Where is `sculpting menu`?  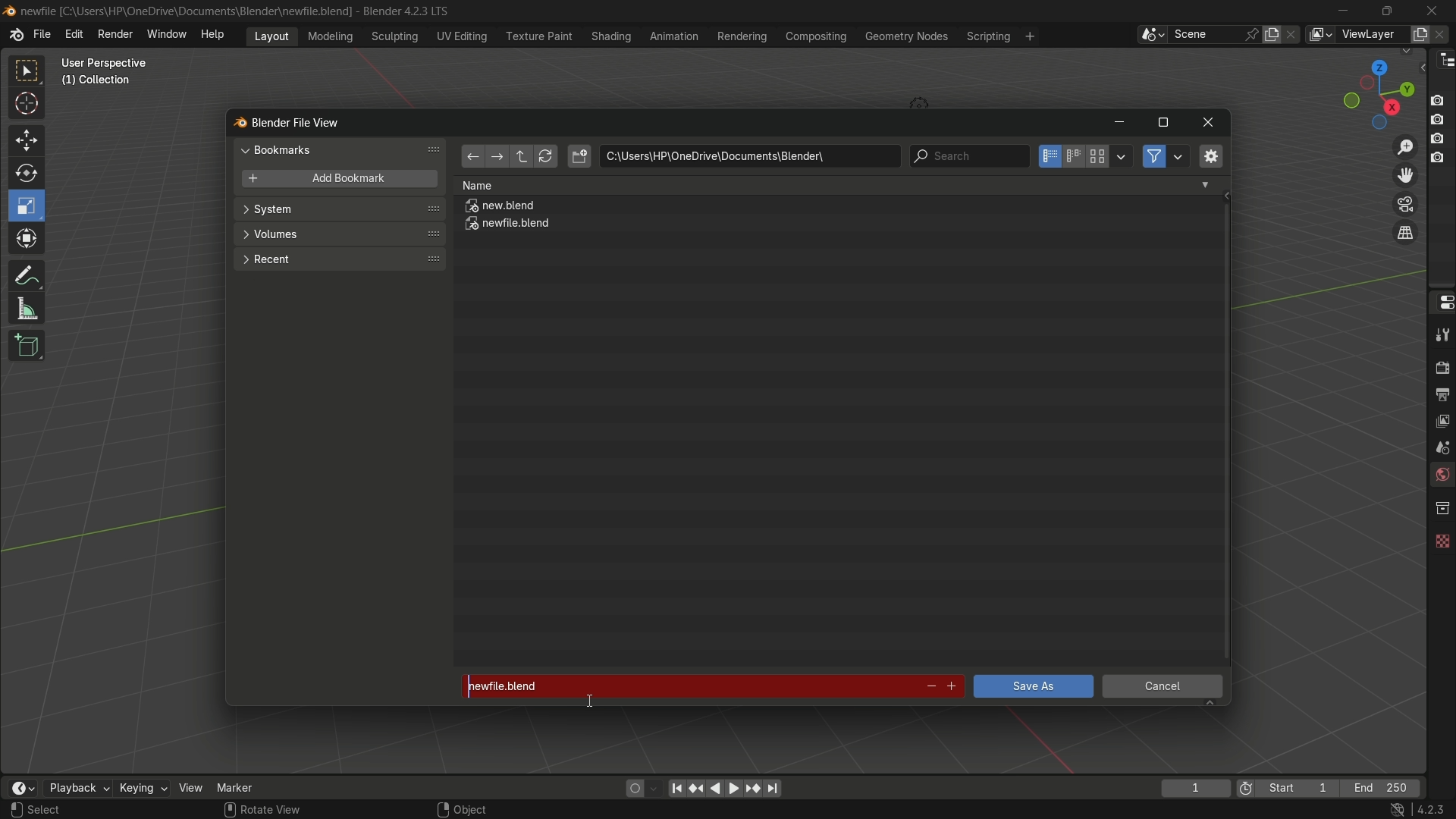 sculpting menu is located at coordinates (391, 36).